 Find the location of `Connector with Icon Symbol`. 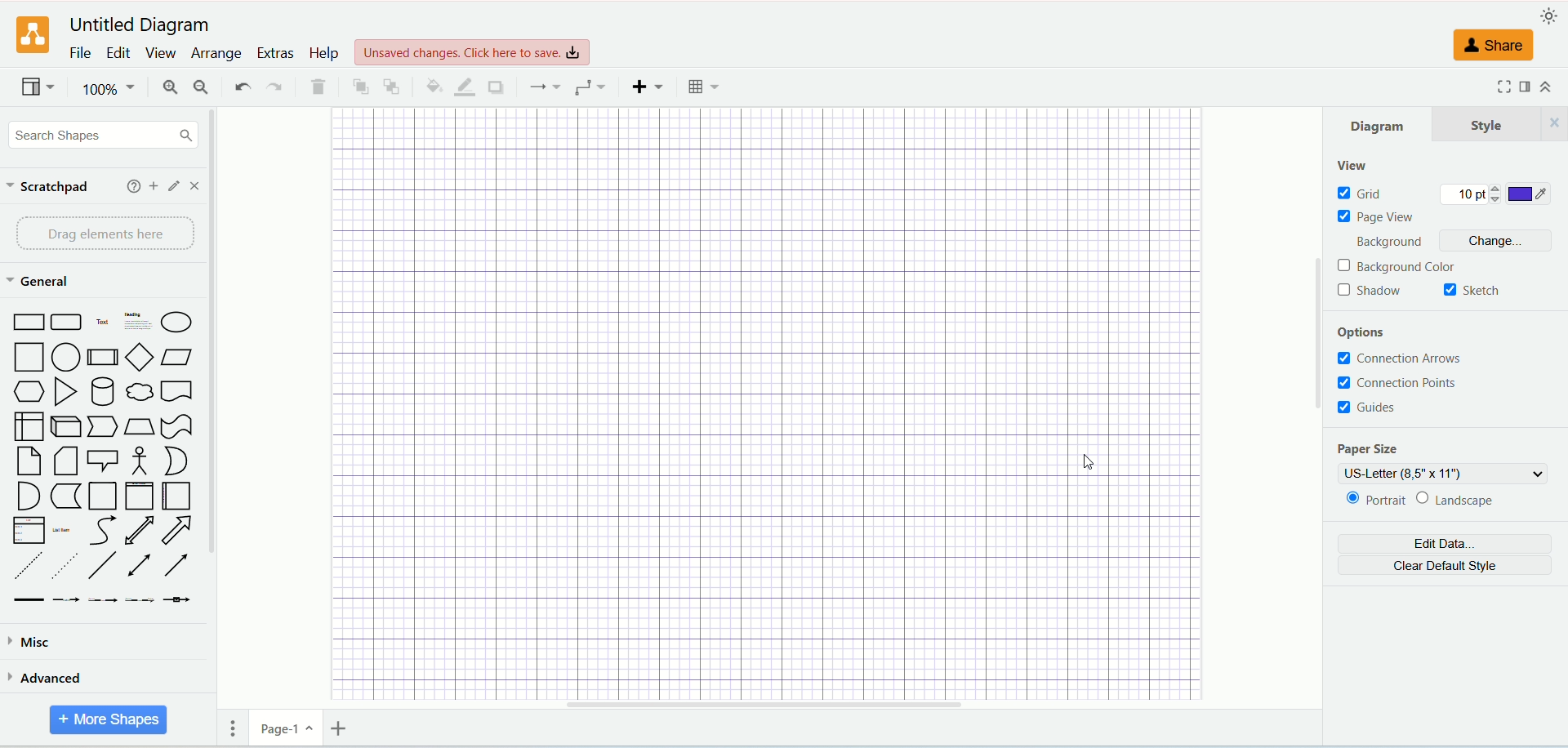

Connector with Icon Symbol is located at coordinates (178, 602).